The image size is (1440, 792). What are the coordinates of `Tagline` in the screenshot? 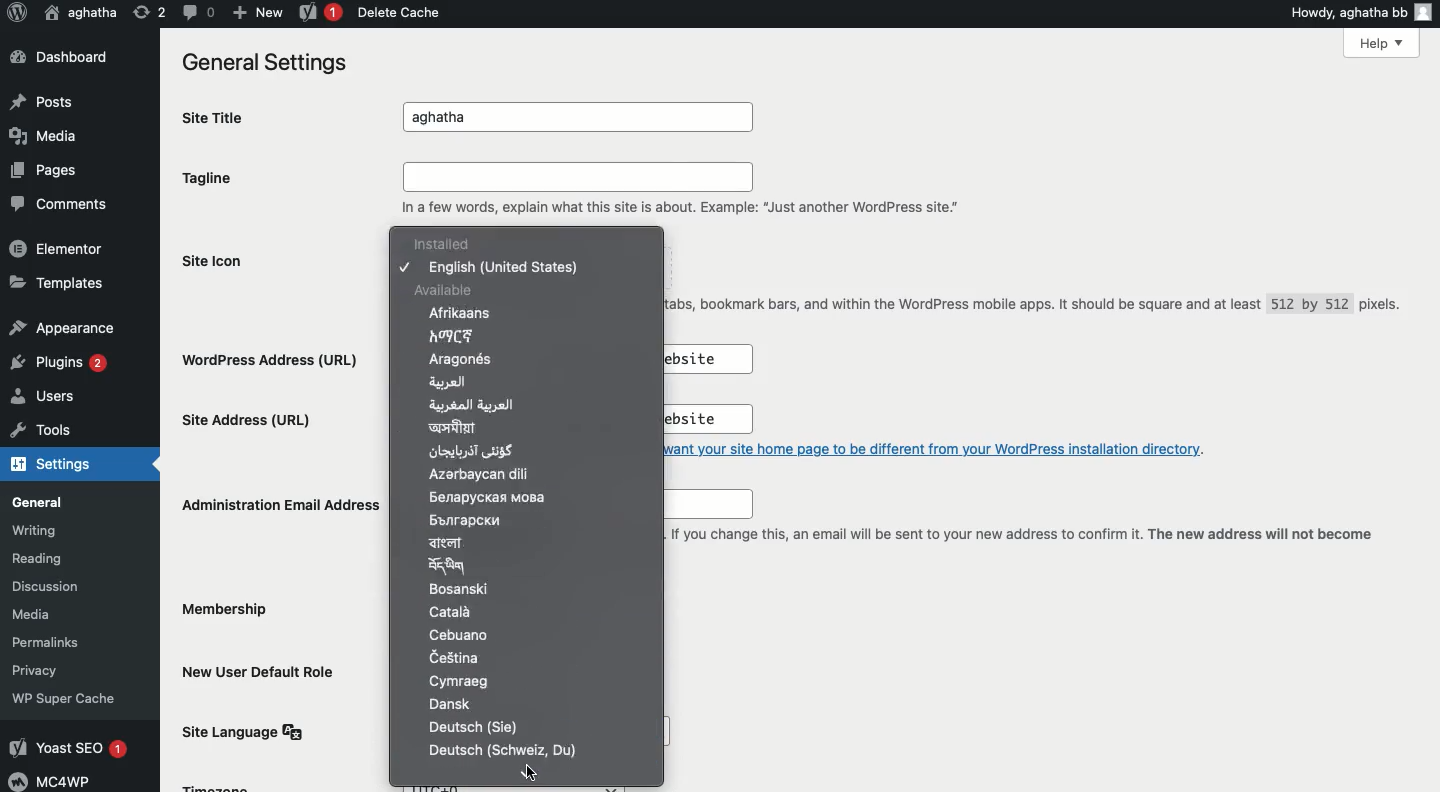 It's located at (214, 178).